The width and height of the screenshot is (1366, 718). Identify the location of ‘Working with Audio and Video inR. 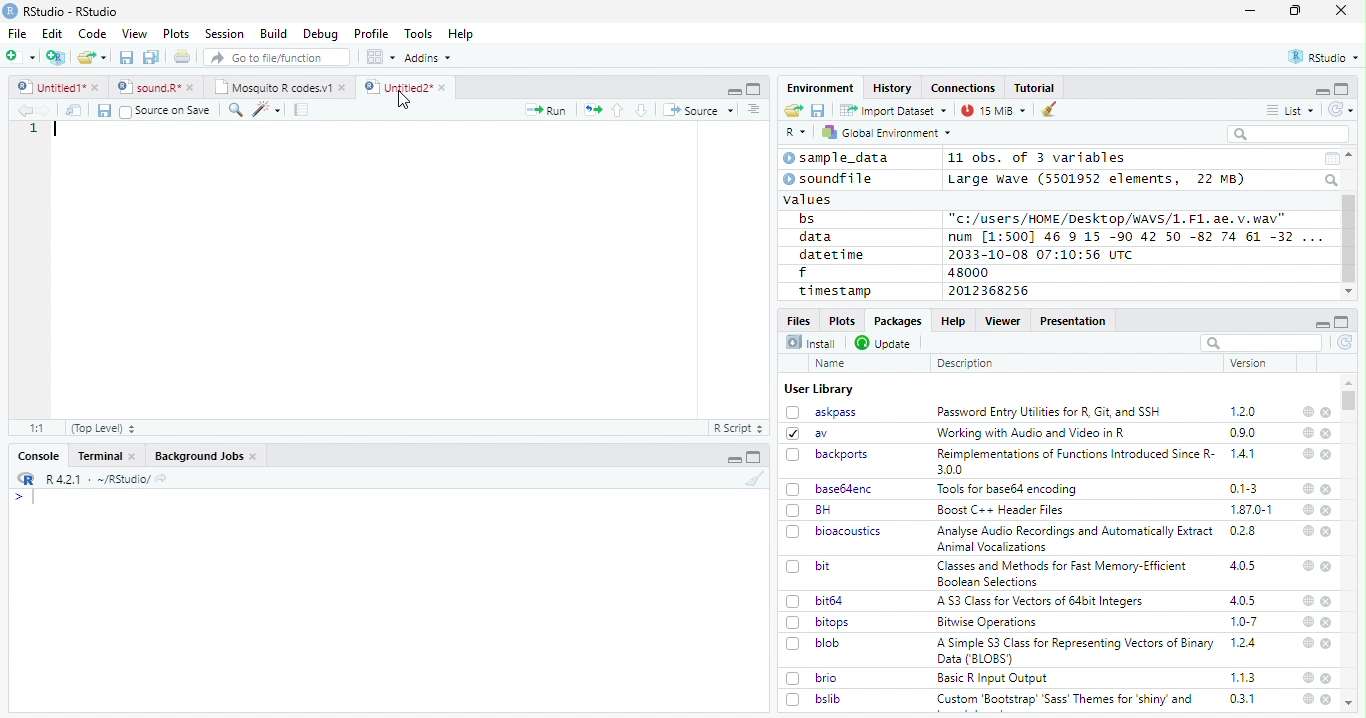
(1033, 433).